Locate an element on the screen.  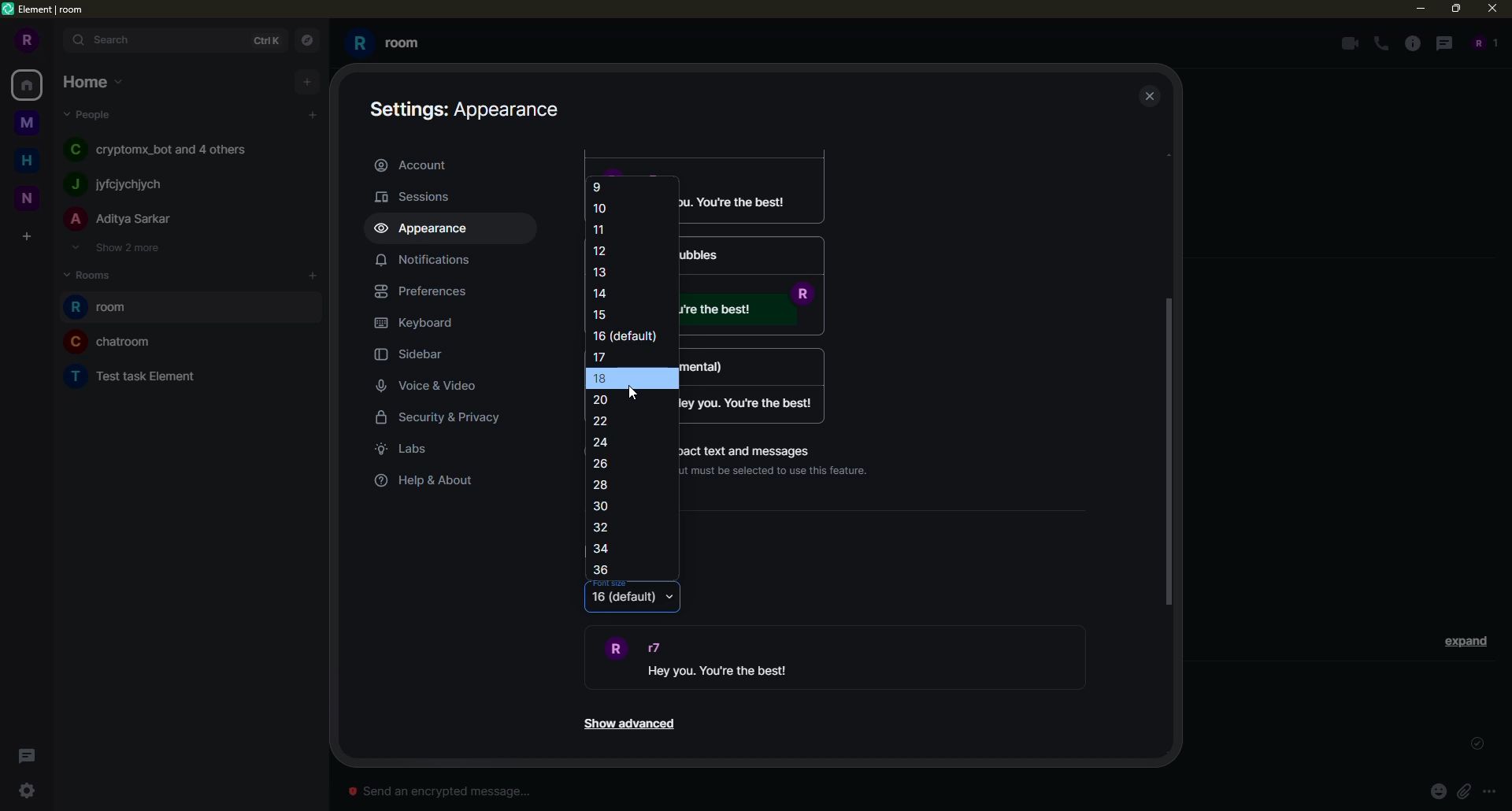
help & about is located at coordinates (426, 481).